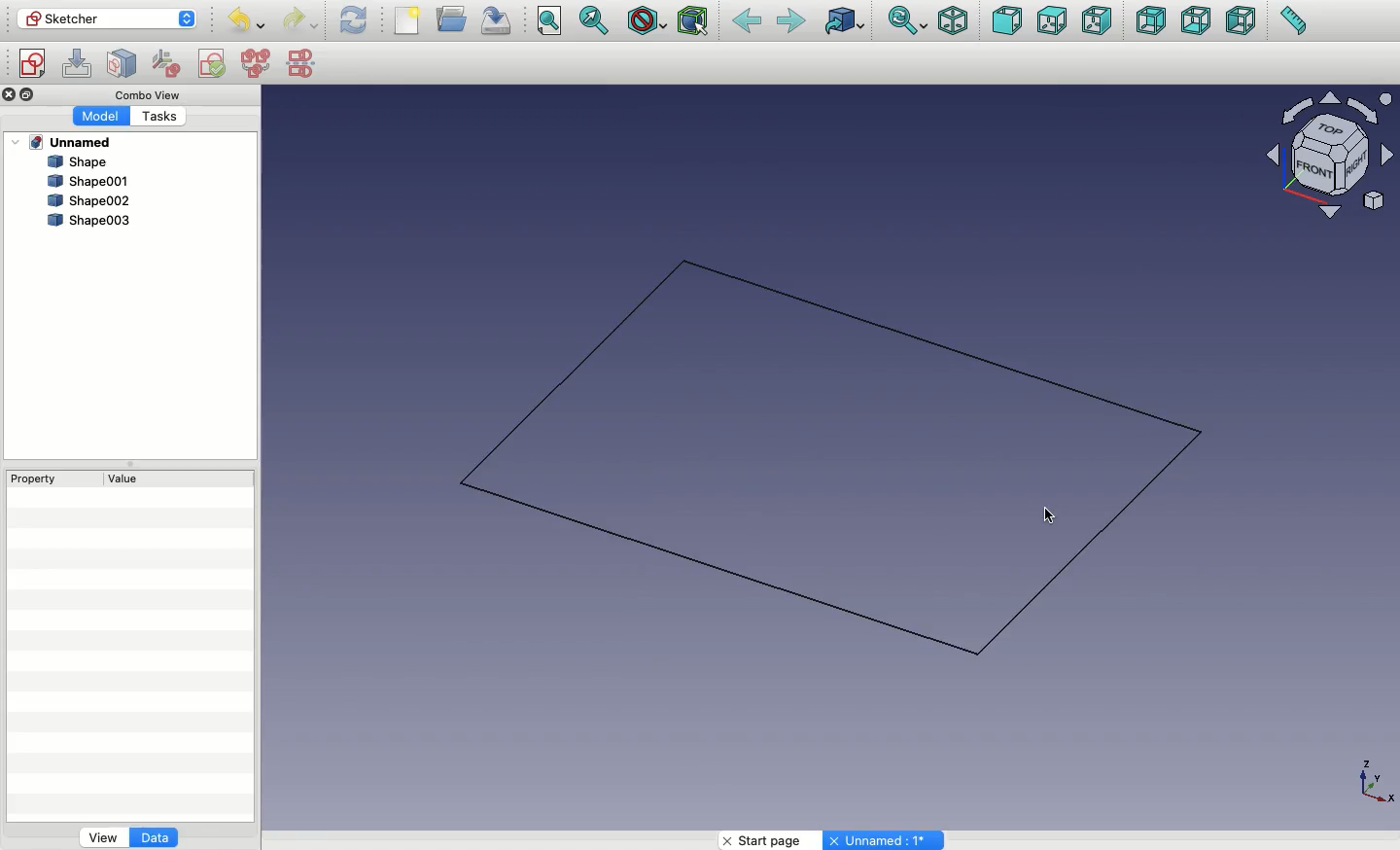  I want to click on Fit selection, so click(594, 20).